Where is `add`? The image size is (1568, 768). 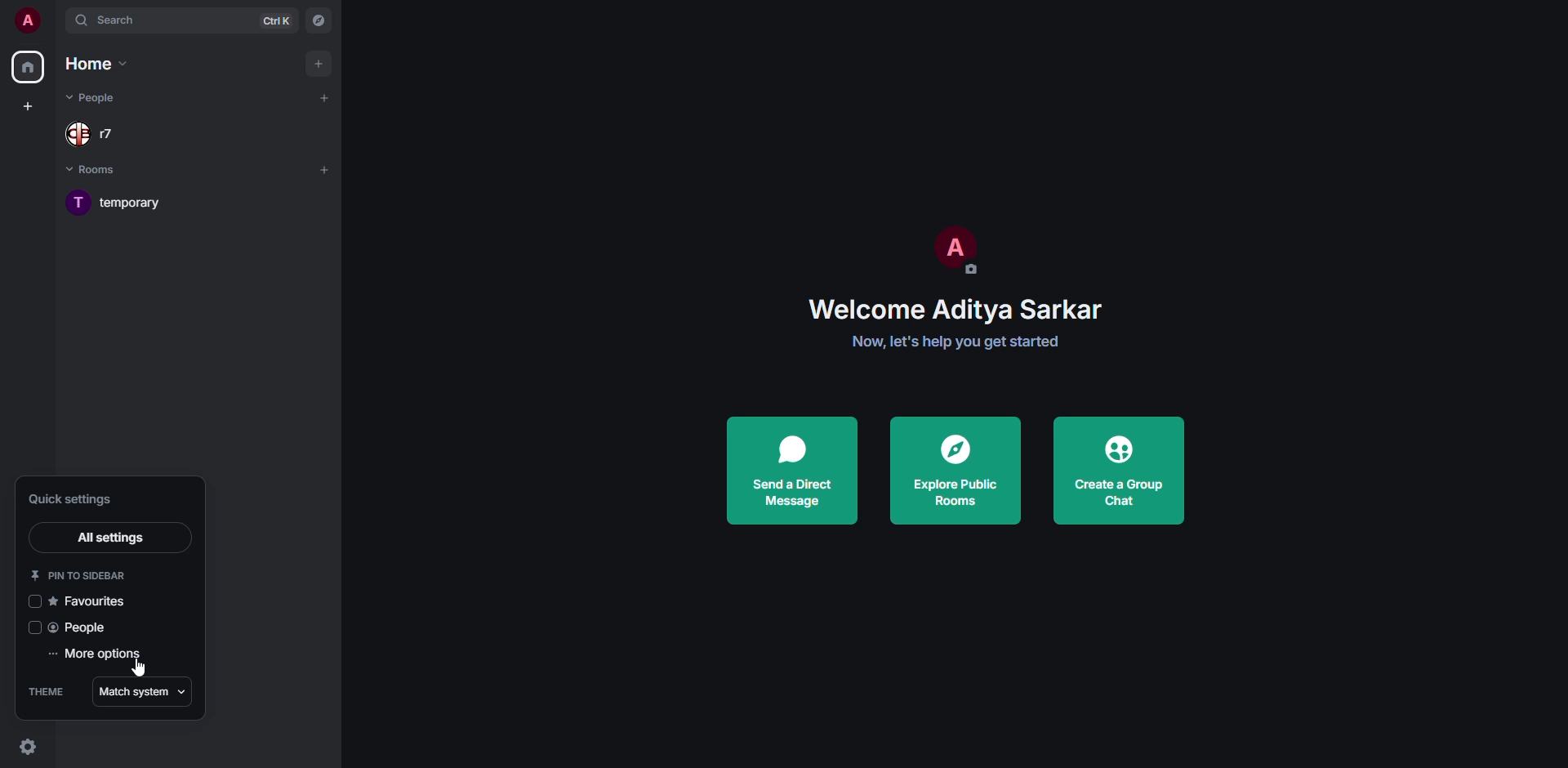
add is located at coordinates (317, 64).